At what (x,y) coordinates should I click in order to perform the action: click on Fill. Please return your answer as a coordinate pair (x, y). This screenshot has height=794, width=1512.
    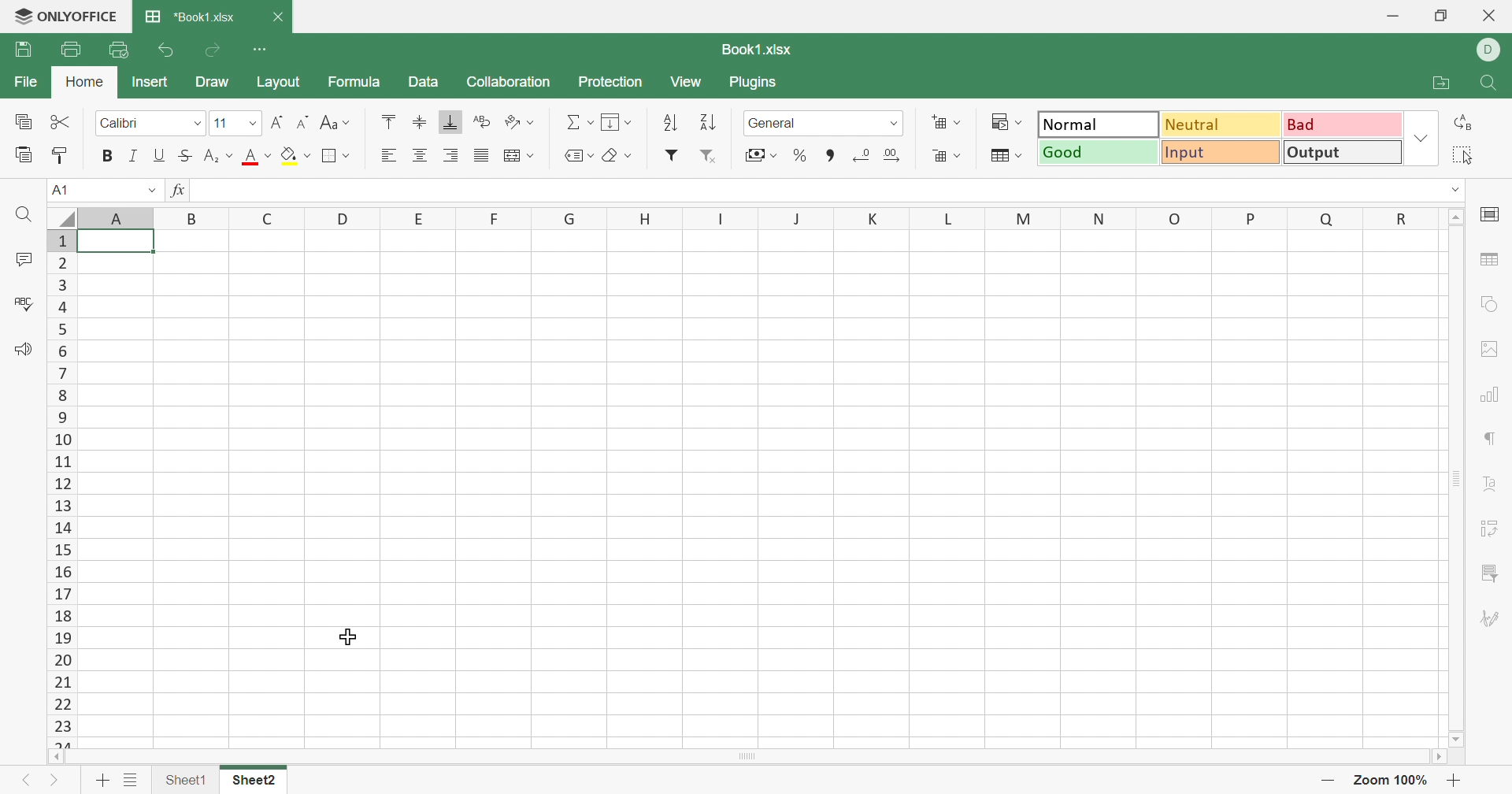
    Looking at the image, I should click on (618, 121).